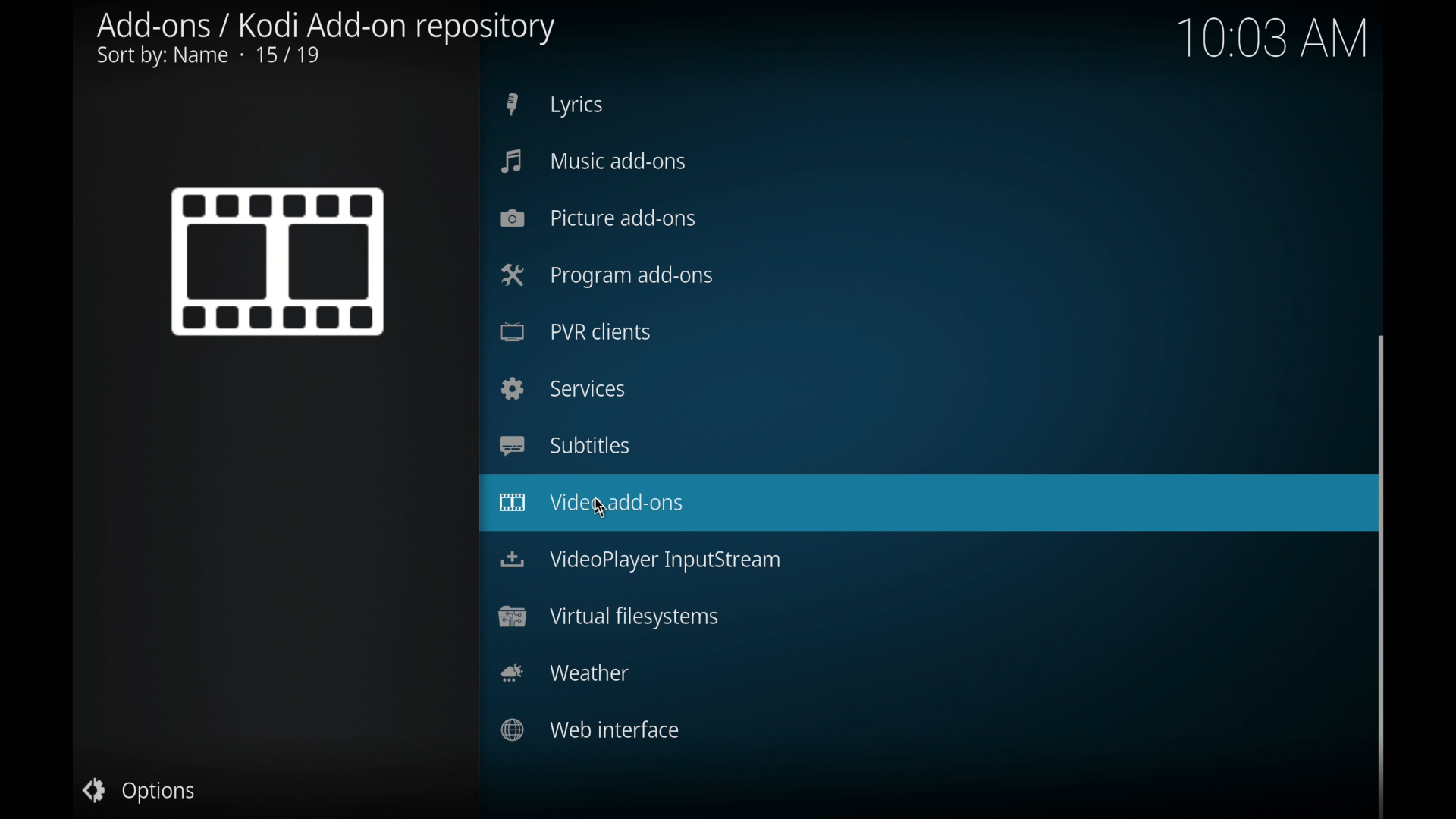  What do you see at coordinates (140, 790) in the screenshot?
I see `options` at bounding box center [140, 790].